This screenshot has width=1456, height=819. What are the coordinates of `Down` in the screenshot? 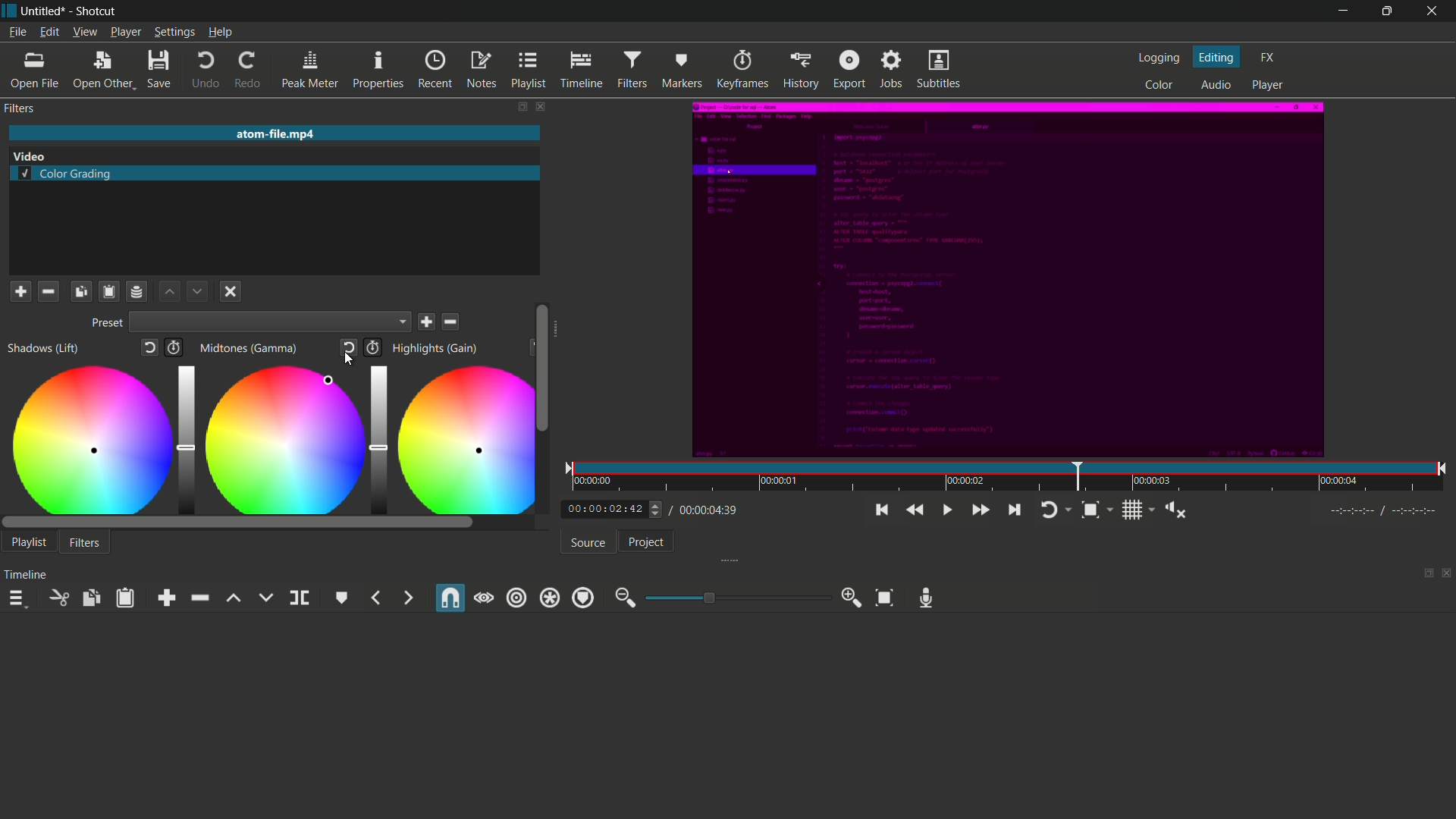 It's located at (196, 290).